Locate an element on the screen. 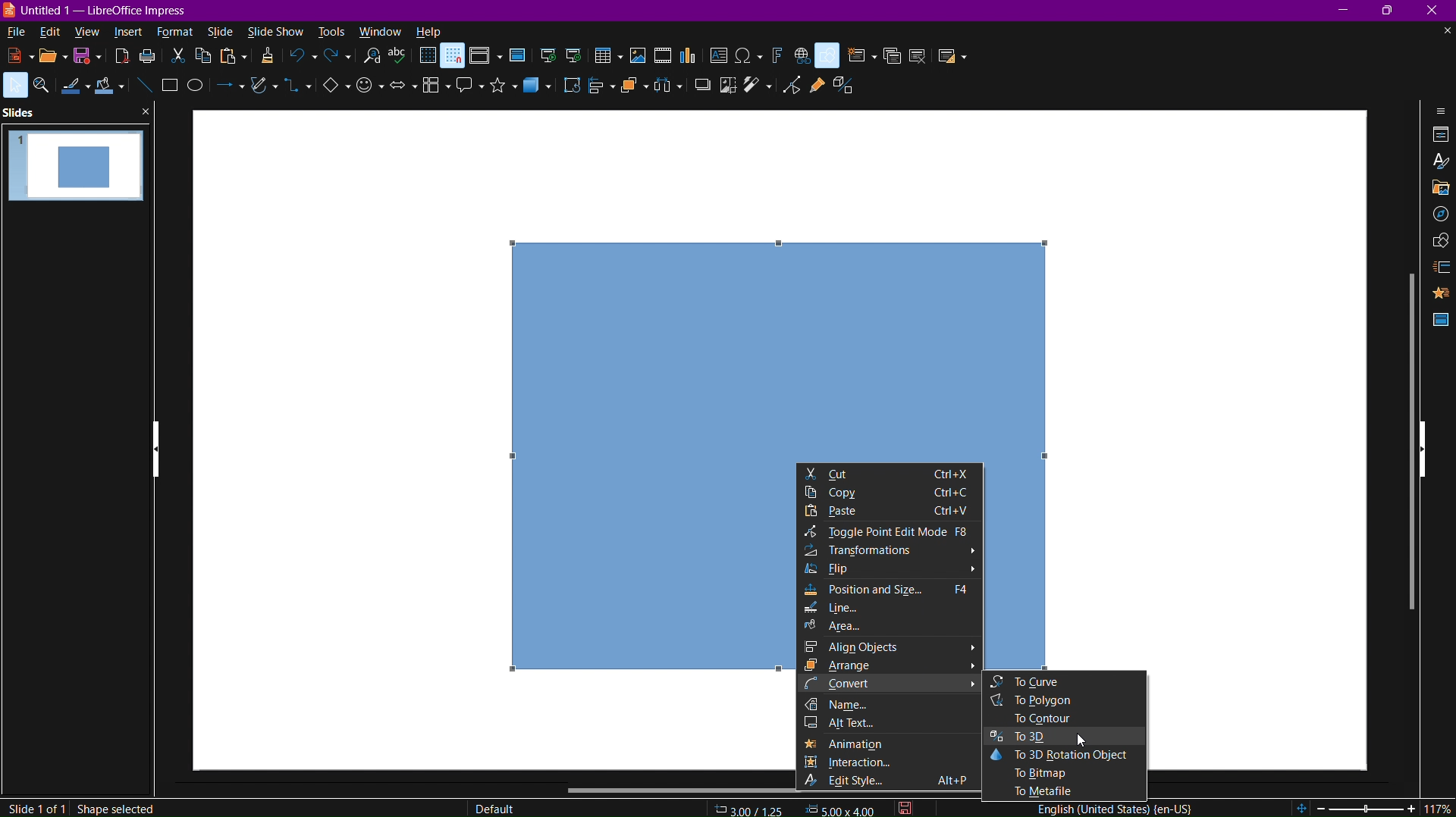 The image size is (1456, 817). English is located at coordinates (1111, 809).